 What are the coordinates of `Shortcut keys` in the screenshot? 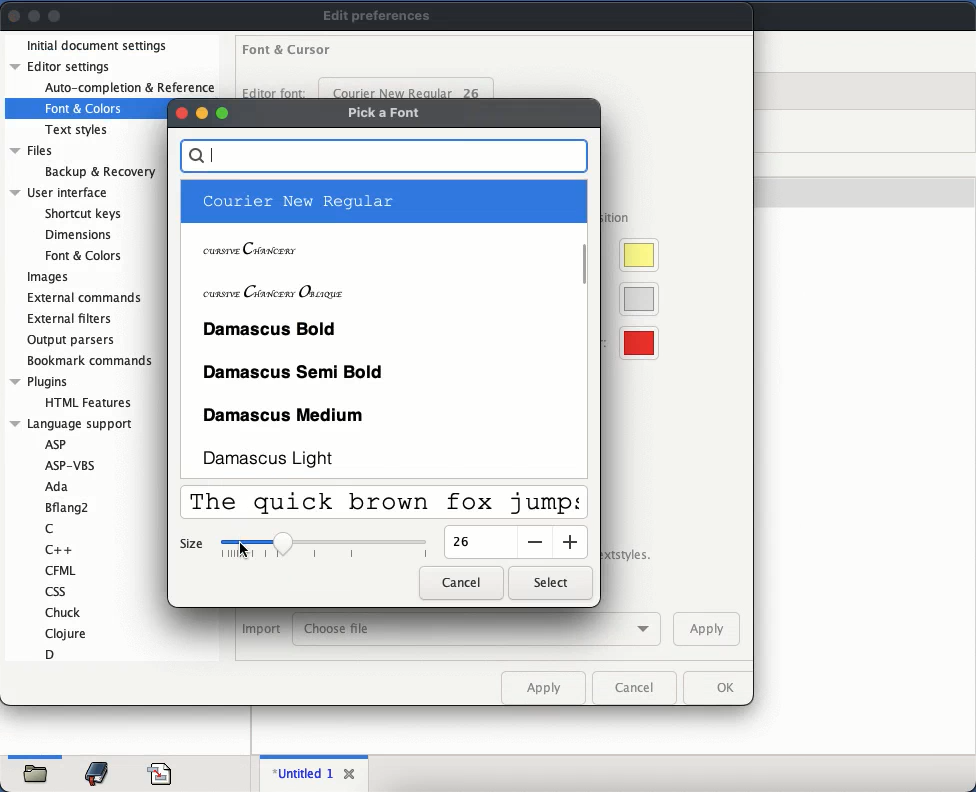 It's located at (82, 212).